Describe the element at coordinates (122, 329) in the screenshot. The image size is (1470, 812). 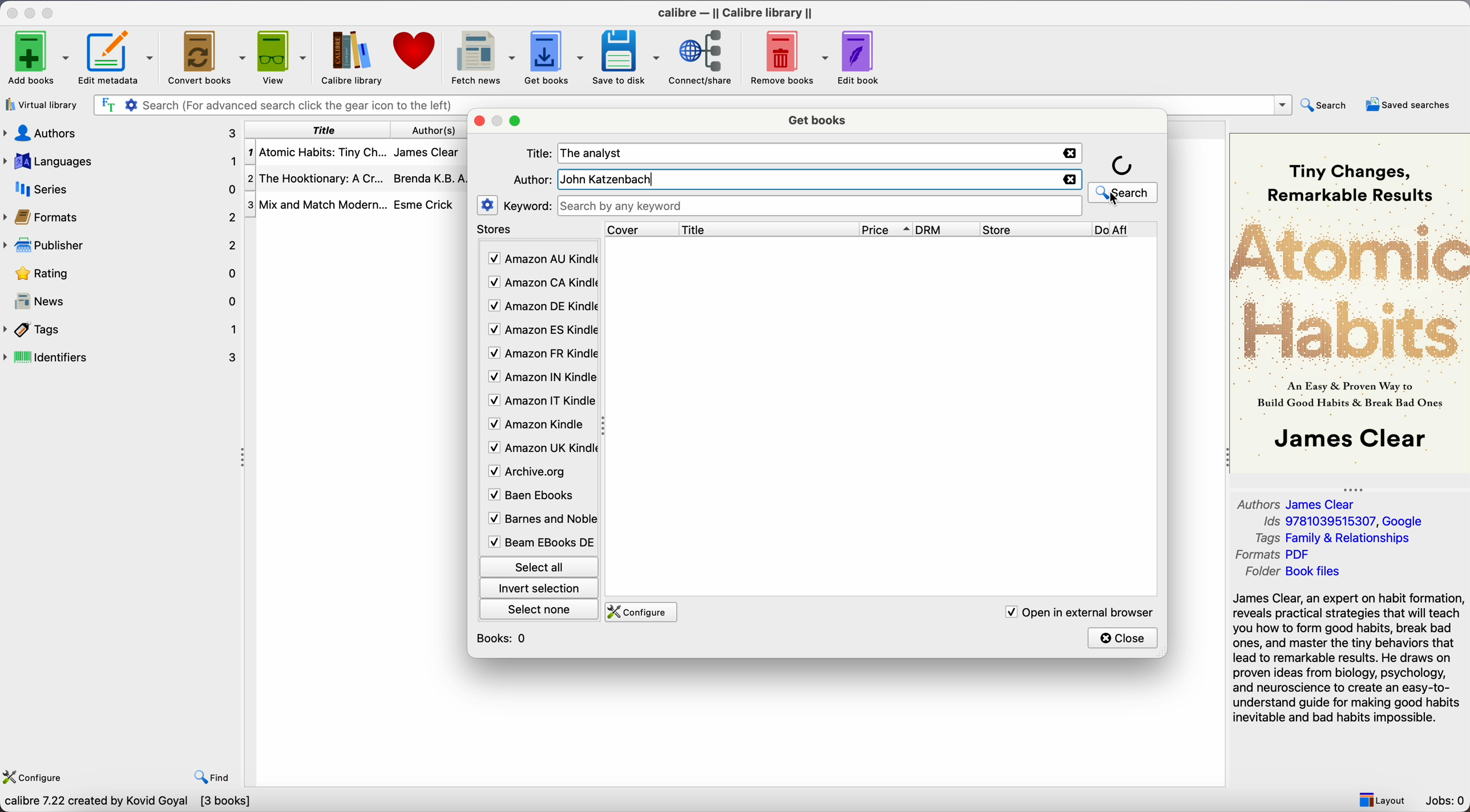
I see `tags` at that location.